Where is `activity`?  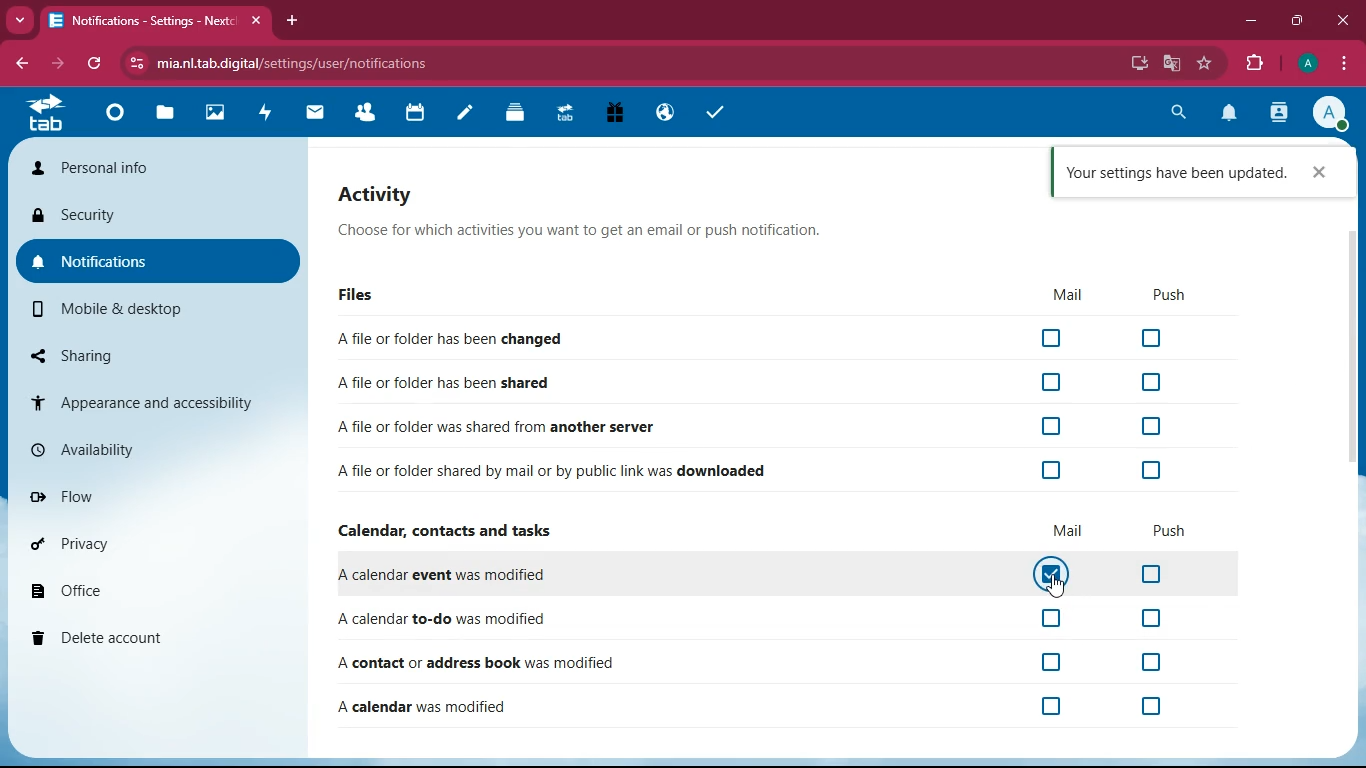
activity is located at coordinates (385, 195).